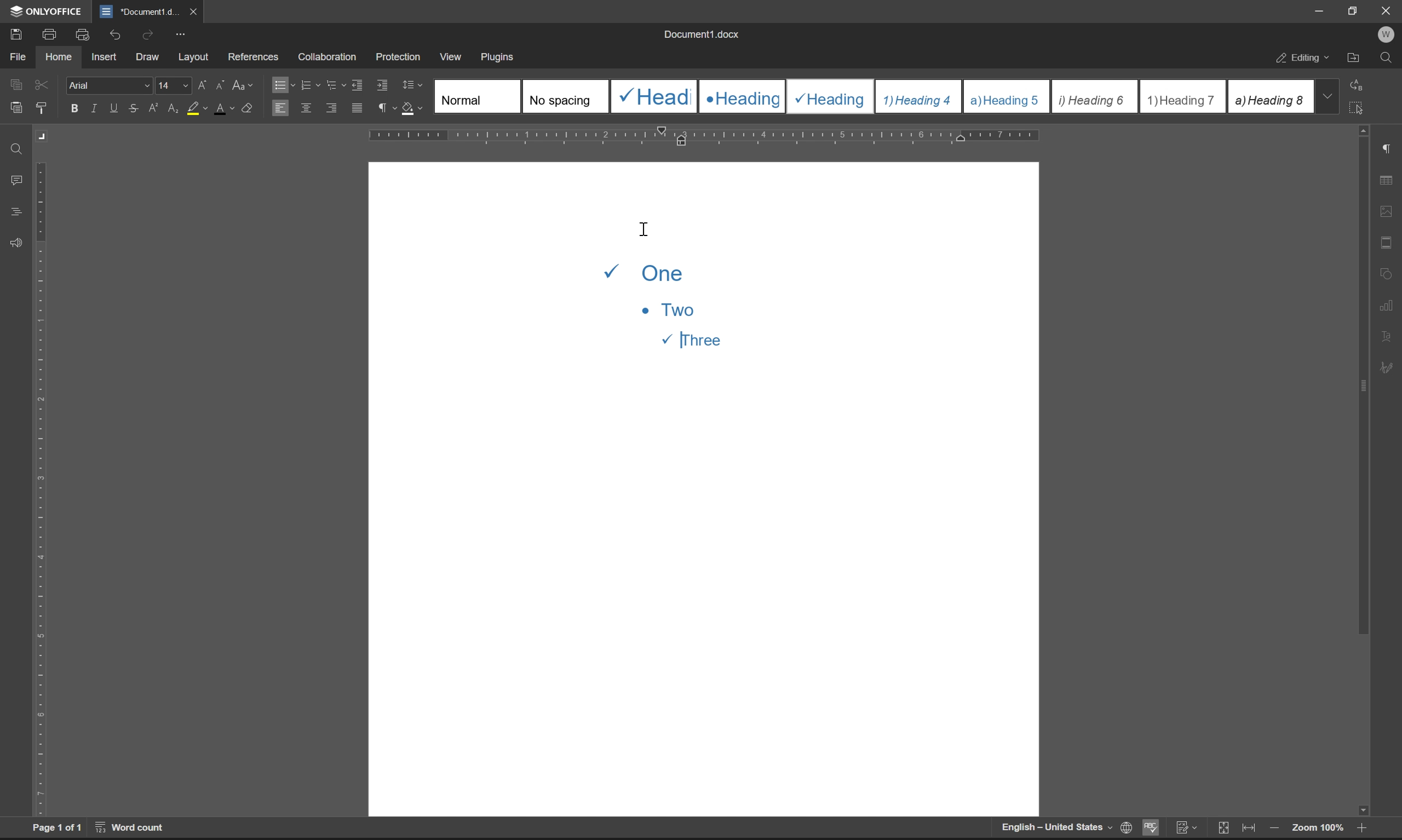  I want to click on select all, so click(1359, 107).